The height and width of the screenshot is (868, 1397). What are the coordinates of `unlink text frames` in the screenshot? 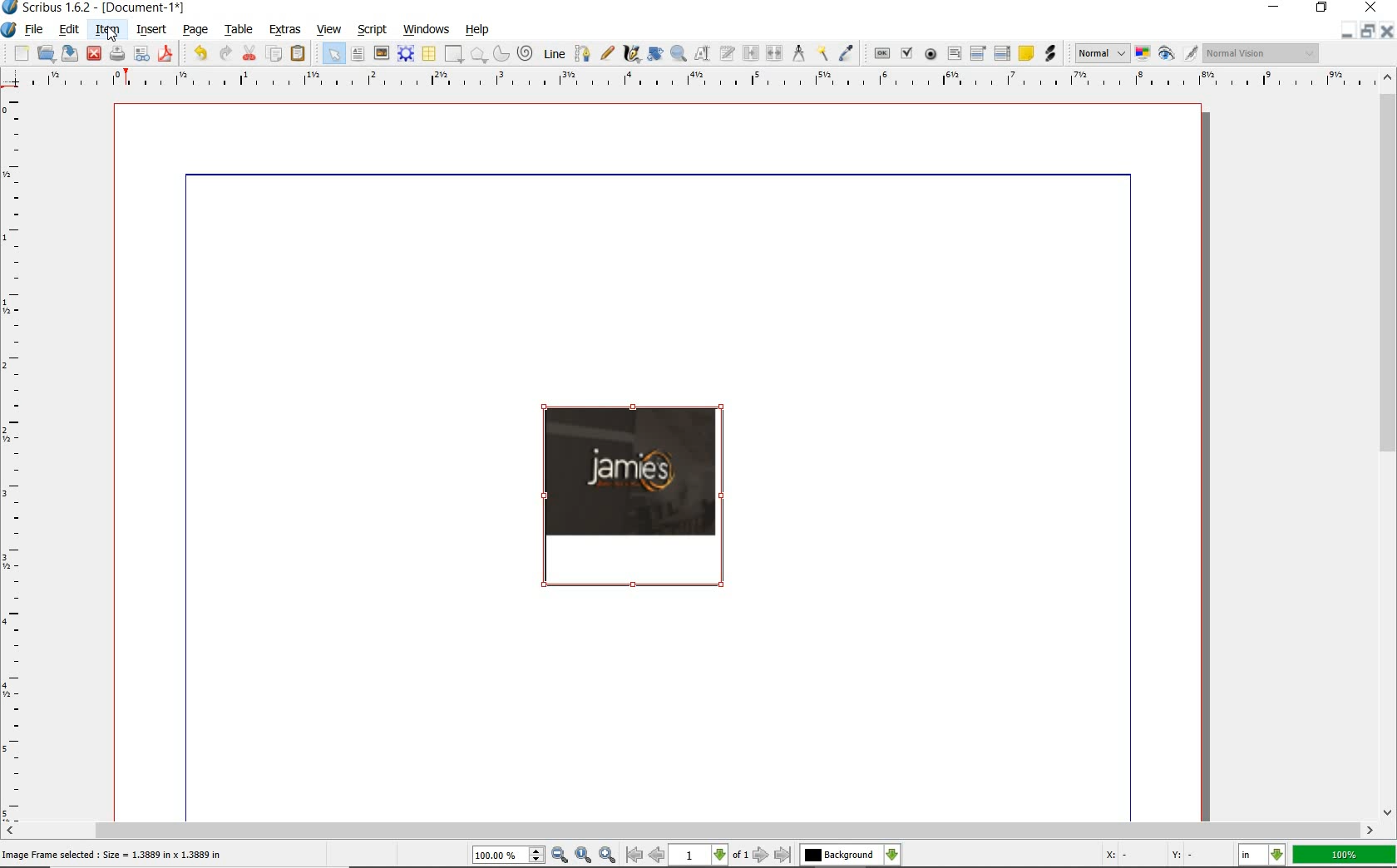 It's located at (775, 54).